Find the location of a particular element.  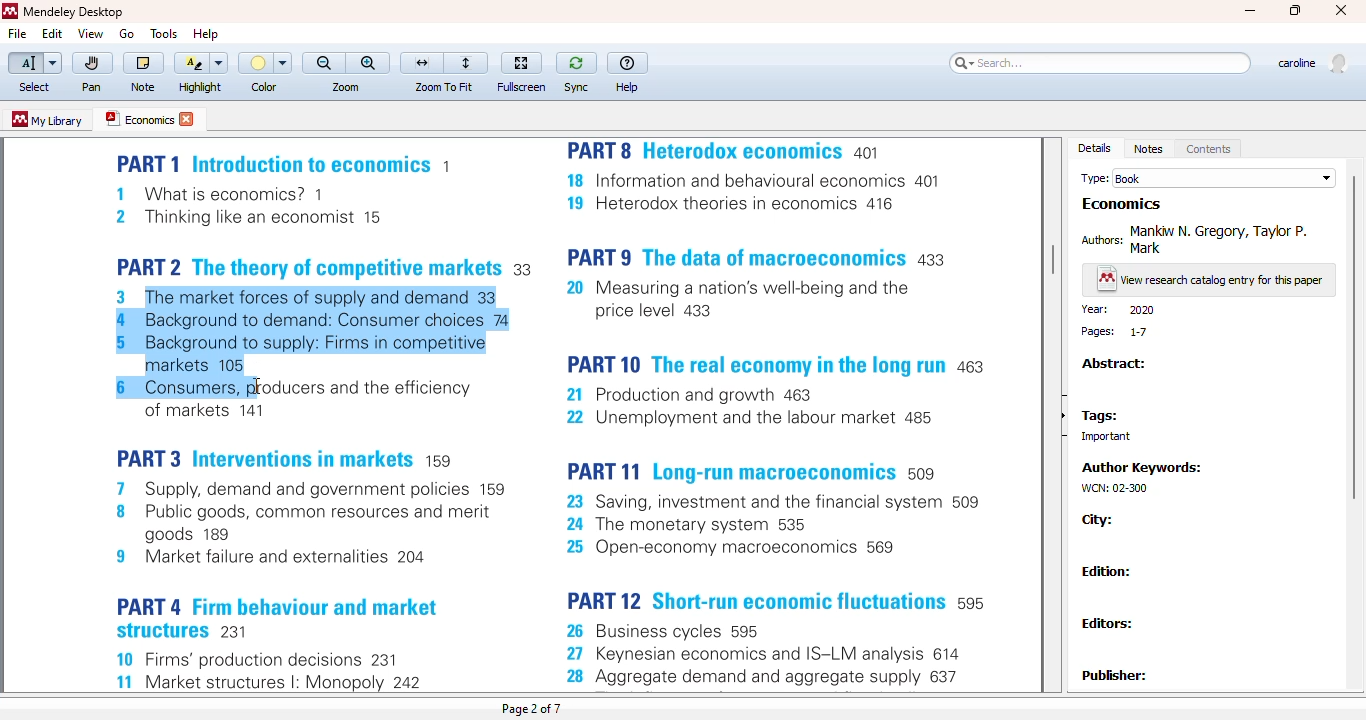

view is located at coordinates (90, 33).